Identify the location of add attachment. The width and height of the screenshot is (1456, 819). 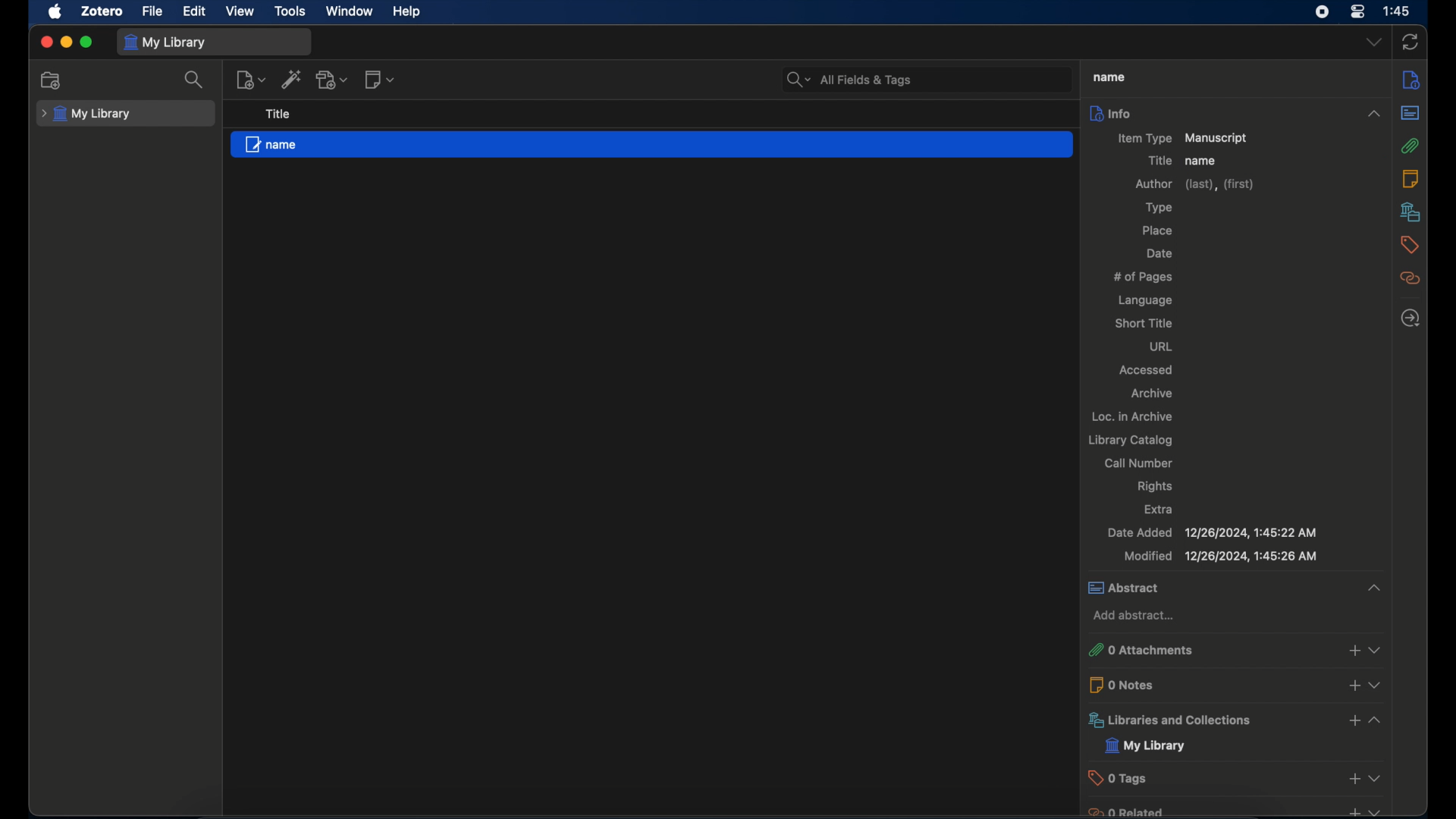
(332, 79).